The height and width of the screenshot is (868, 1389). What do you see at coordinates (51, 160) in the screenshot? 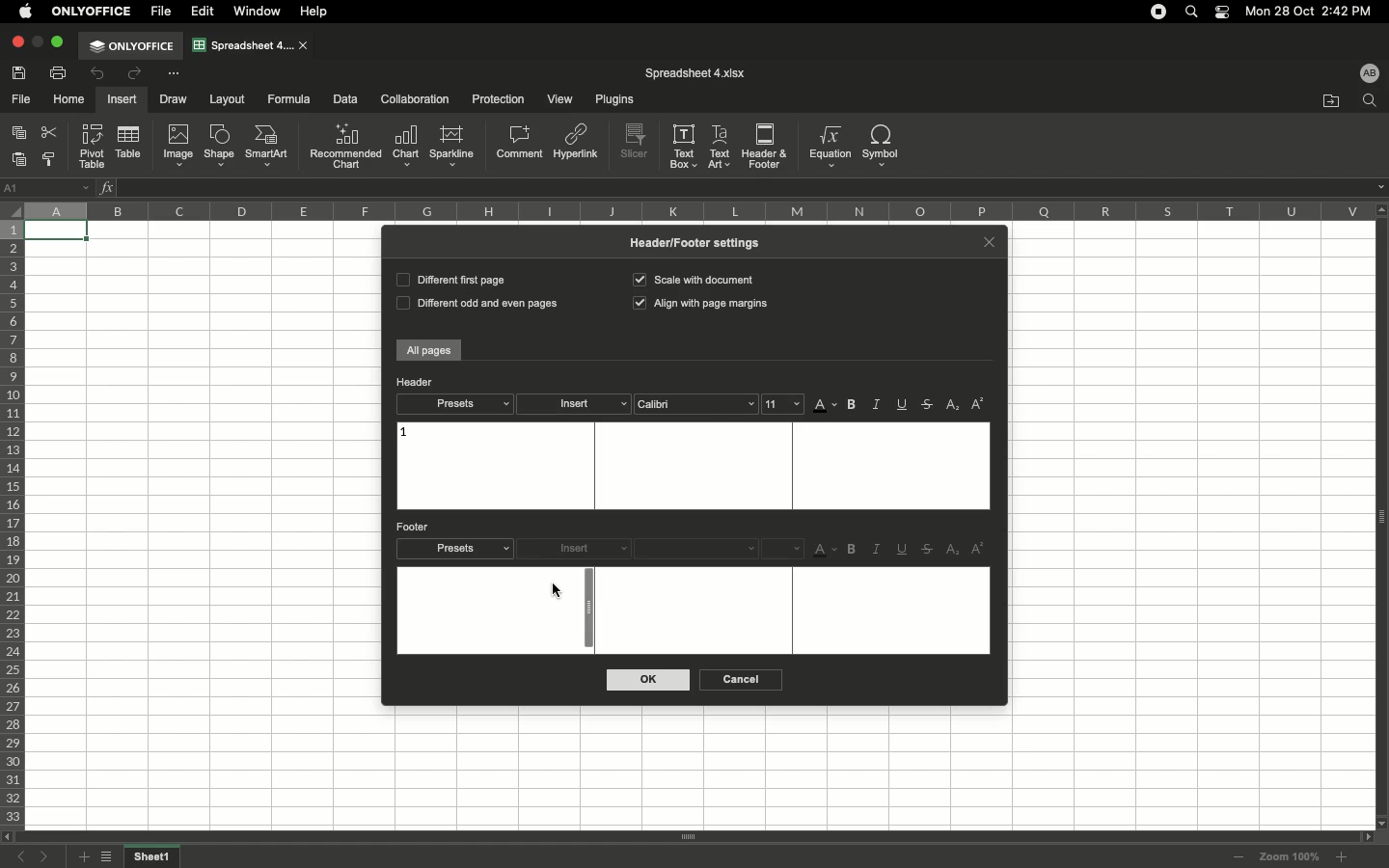
I see `Copy style` at bounding box center [51, 160].